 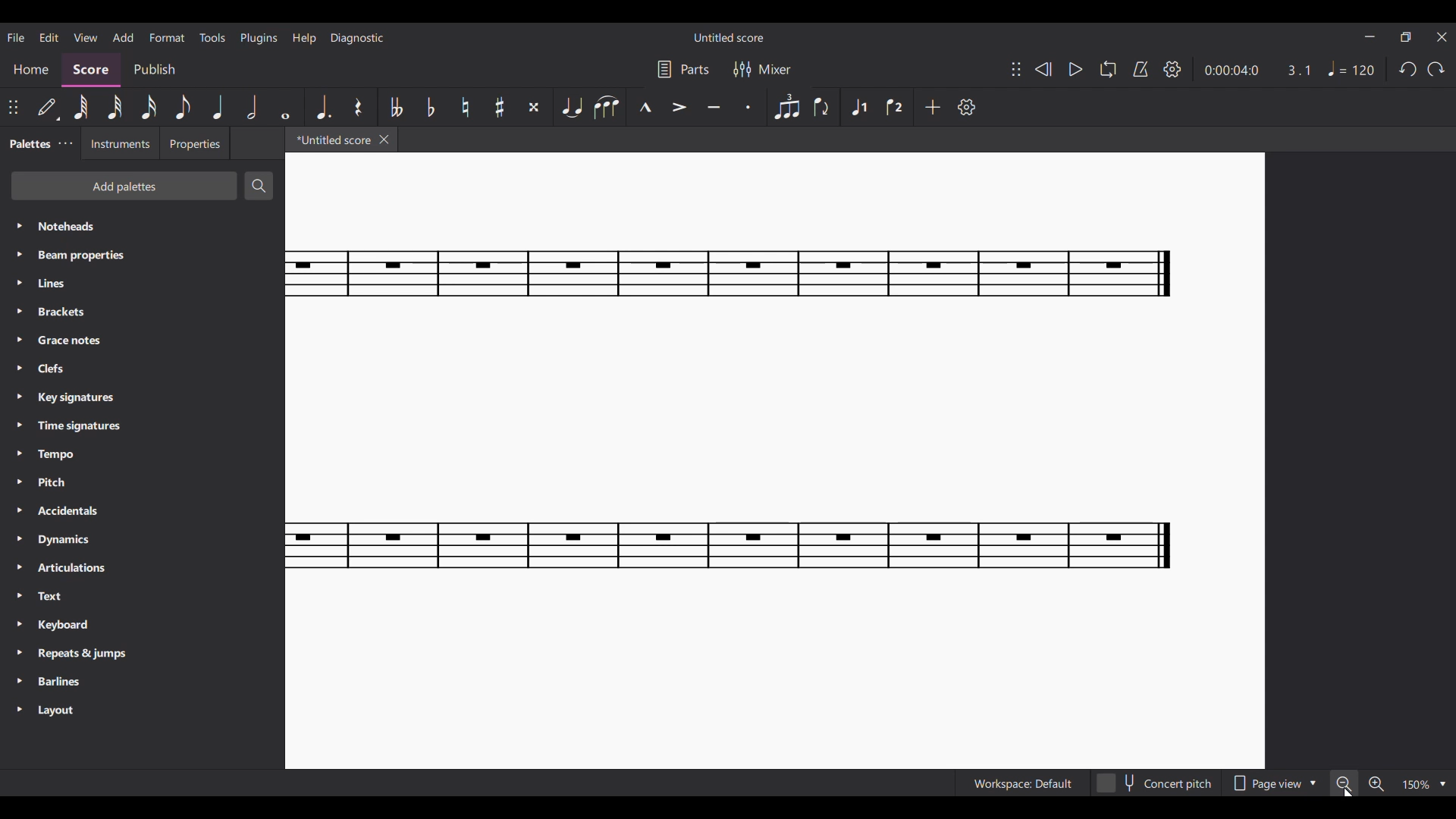 I want to click on Brackets, so click(x=141, y=312).